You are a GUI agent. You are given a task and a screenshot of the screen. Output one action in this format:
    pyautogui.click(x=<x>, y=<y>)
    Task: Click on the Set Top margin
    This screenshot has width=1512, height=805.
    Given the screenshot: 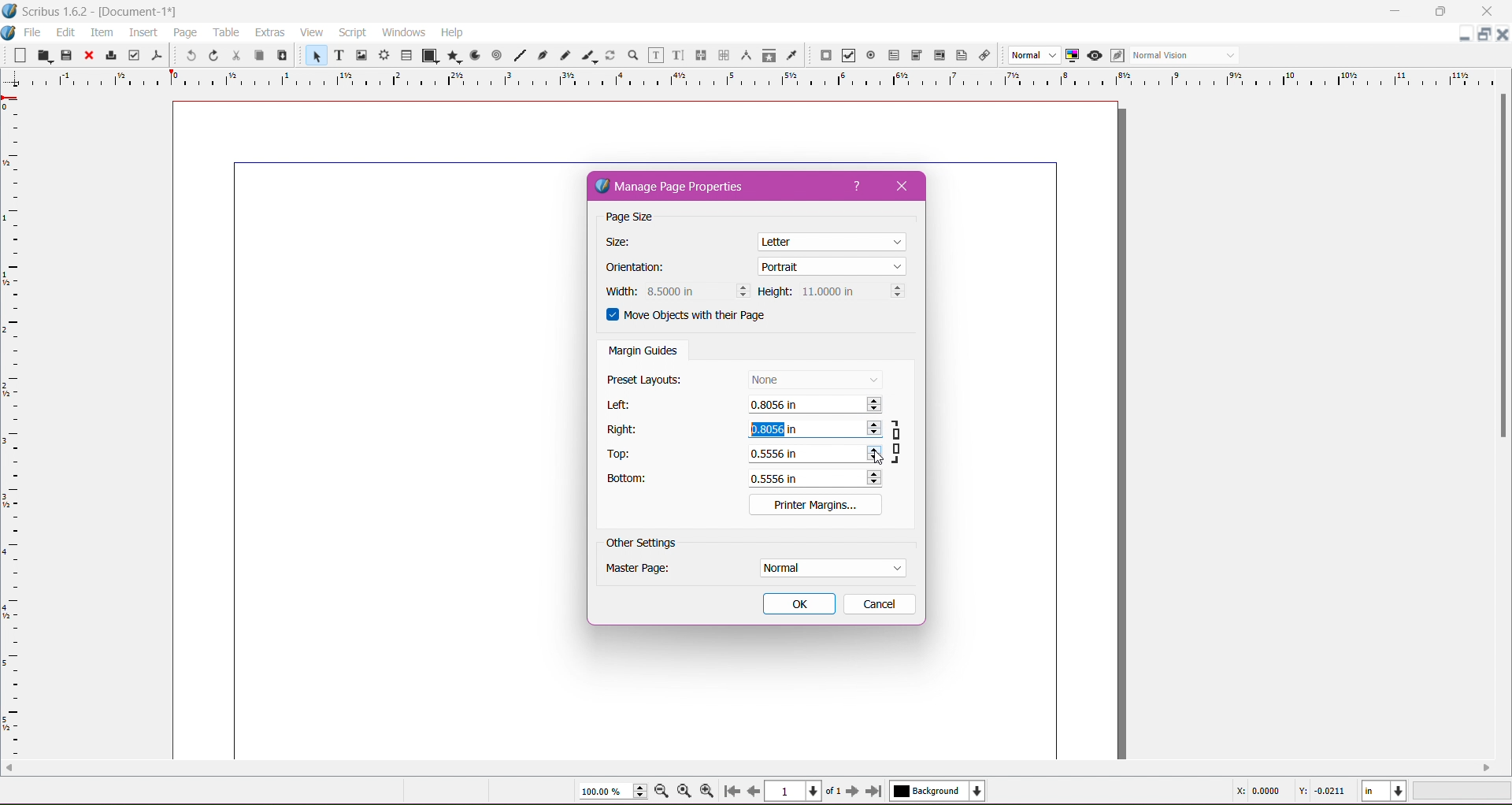 What is the action you would take?
    pyautogui.click(x=813, y=453)
    